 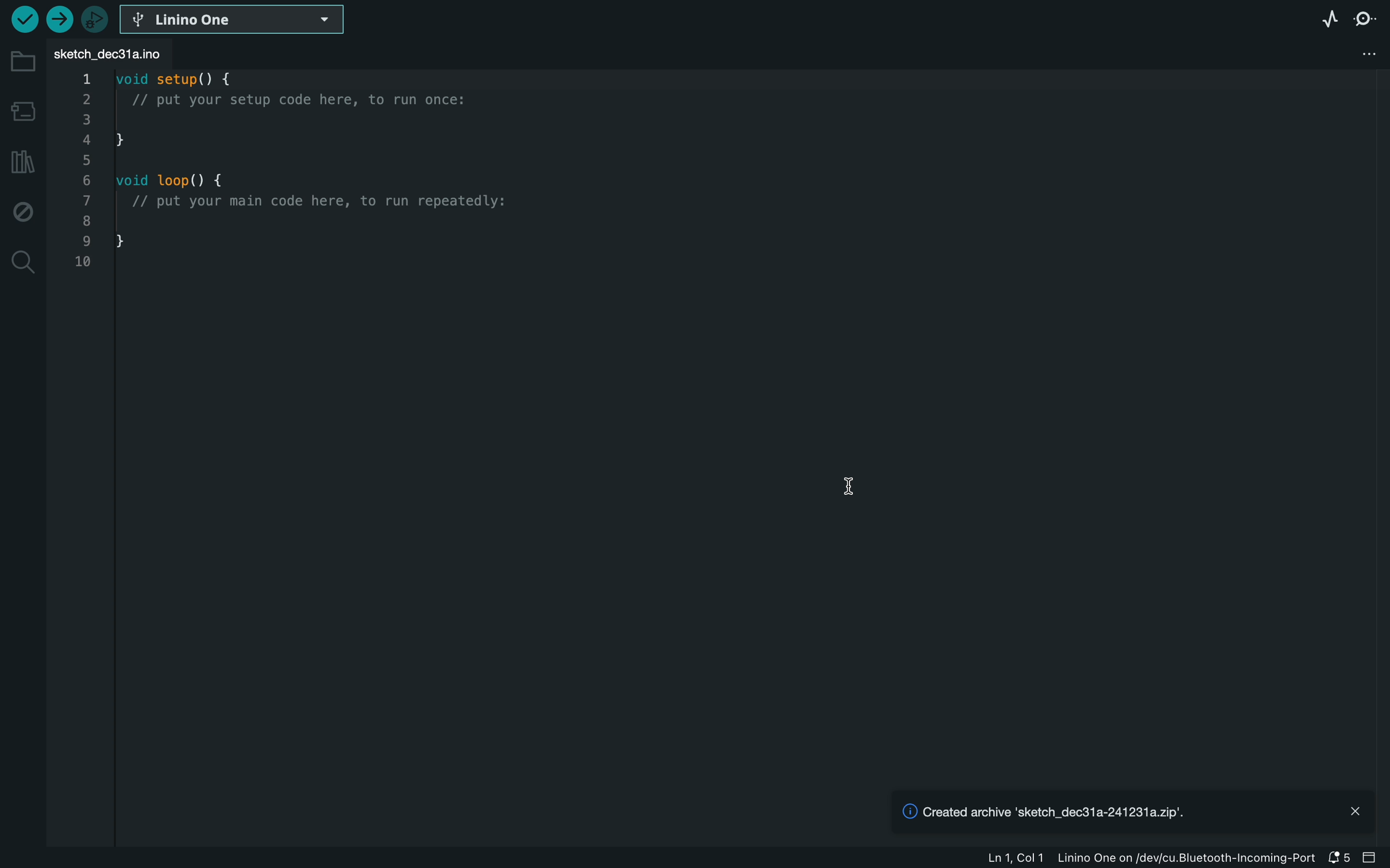 What do you see at coordinates (24, 211) in the screenshot?
I see `debug` at bounding box center [24, 211].